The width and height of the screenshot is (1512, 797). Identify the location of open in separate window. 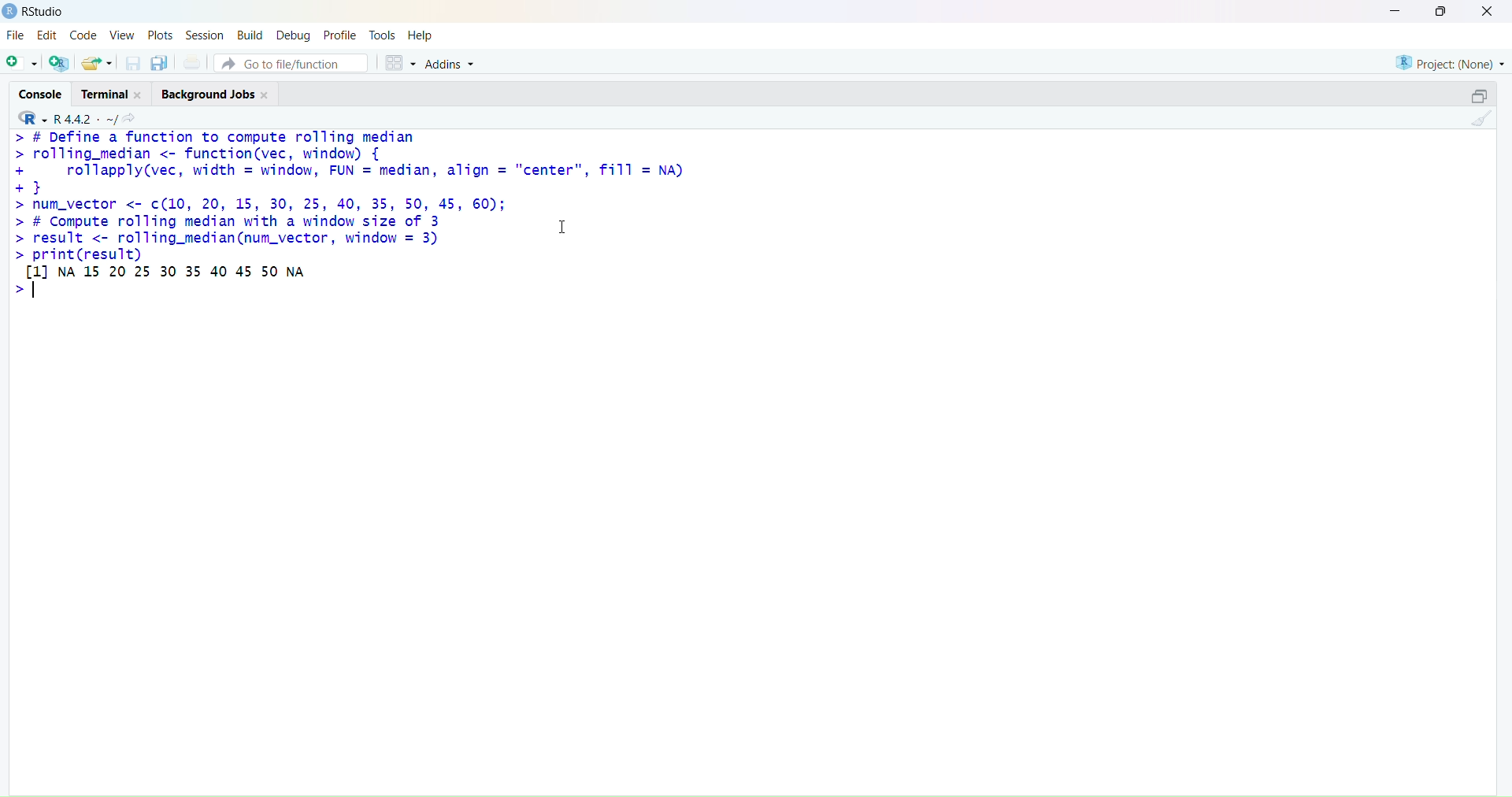
(1479, 96).